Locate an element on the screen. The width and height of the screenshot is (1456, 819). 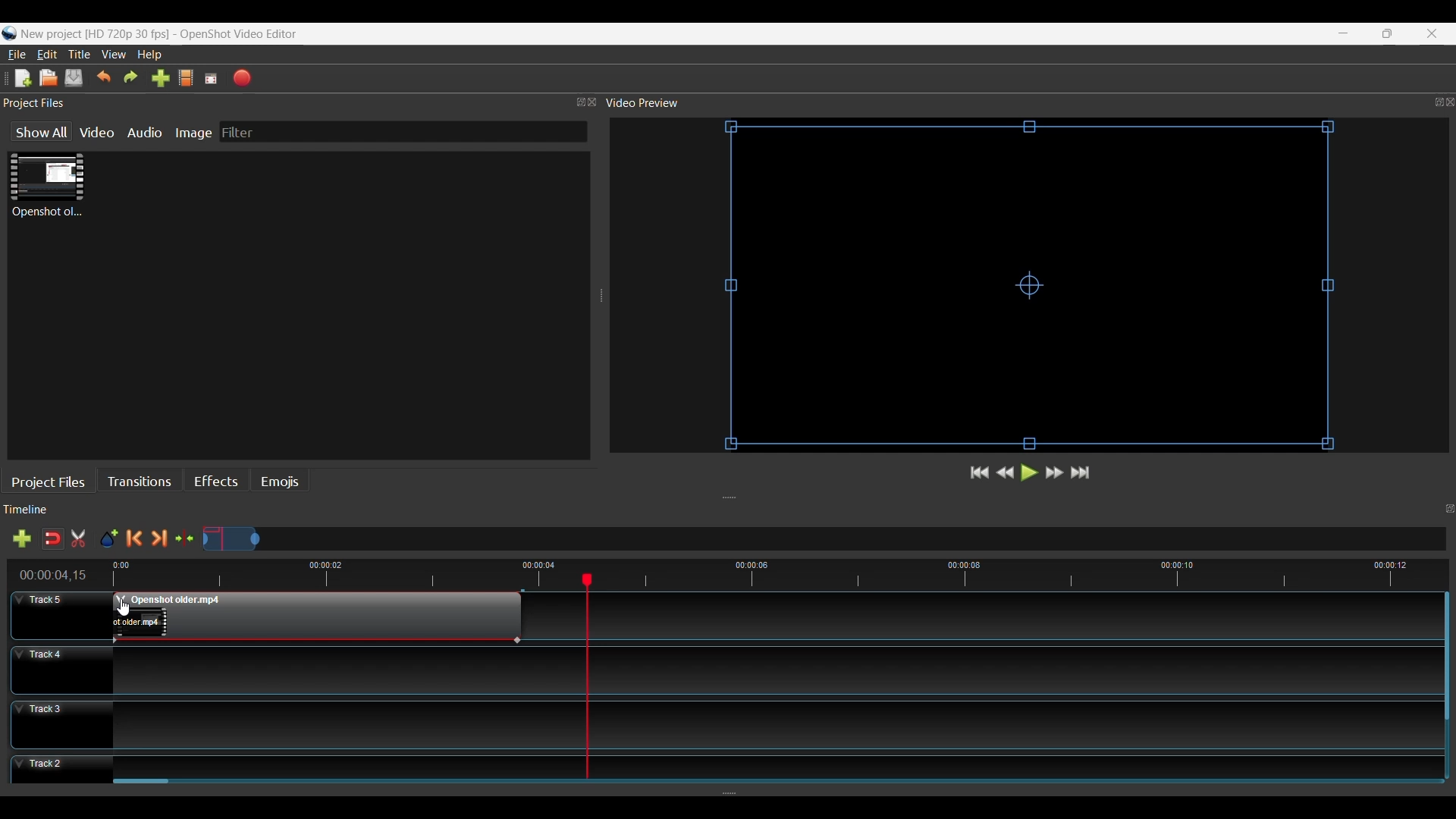
Track Header is located at coordinates (61, 723).